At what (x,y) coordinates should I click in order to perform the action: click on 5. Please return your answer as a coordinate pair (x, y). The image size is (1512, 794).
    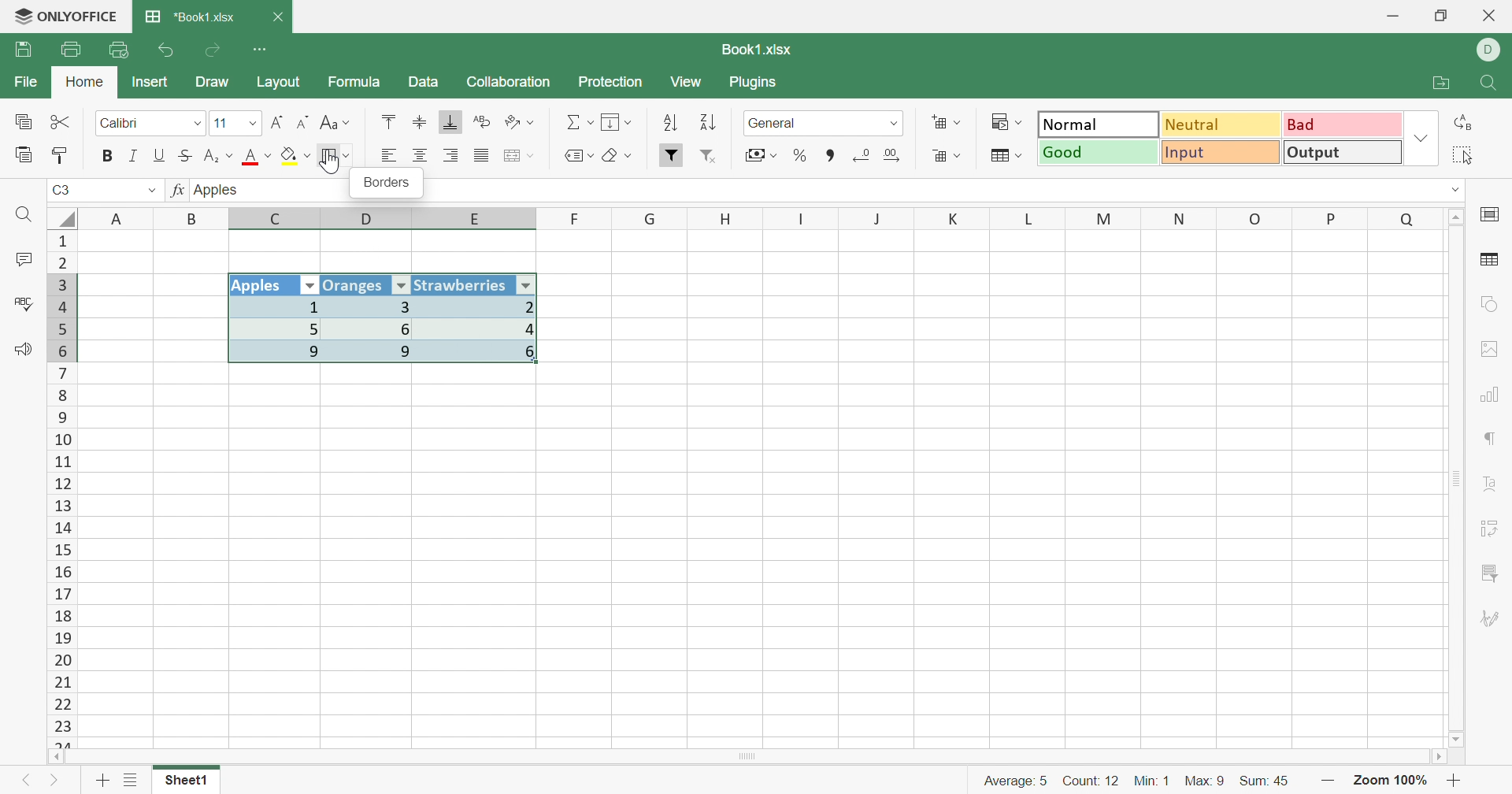
    Looking at the image, I should click on (277, 328).